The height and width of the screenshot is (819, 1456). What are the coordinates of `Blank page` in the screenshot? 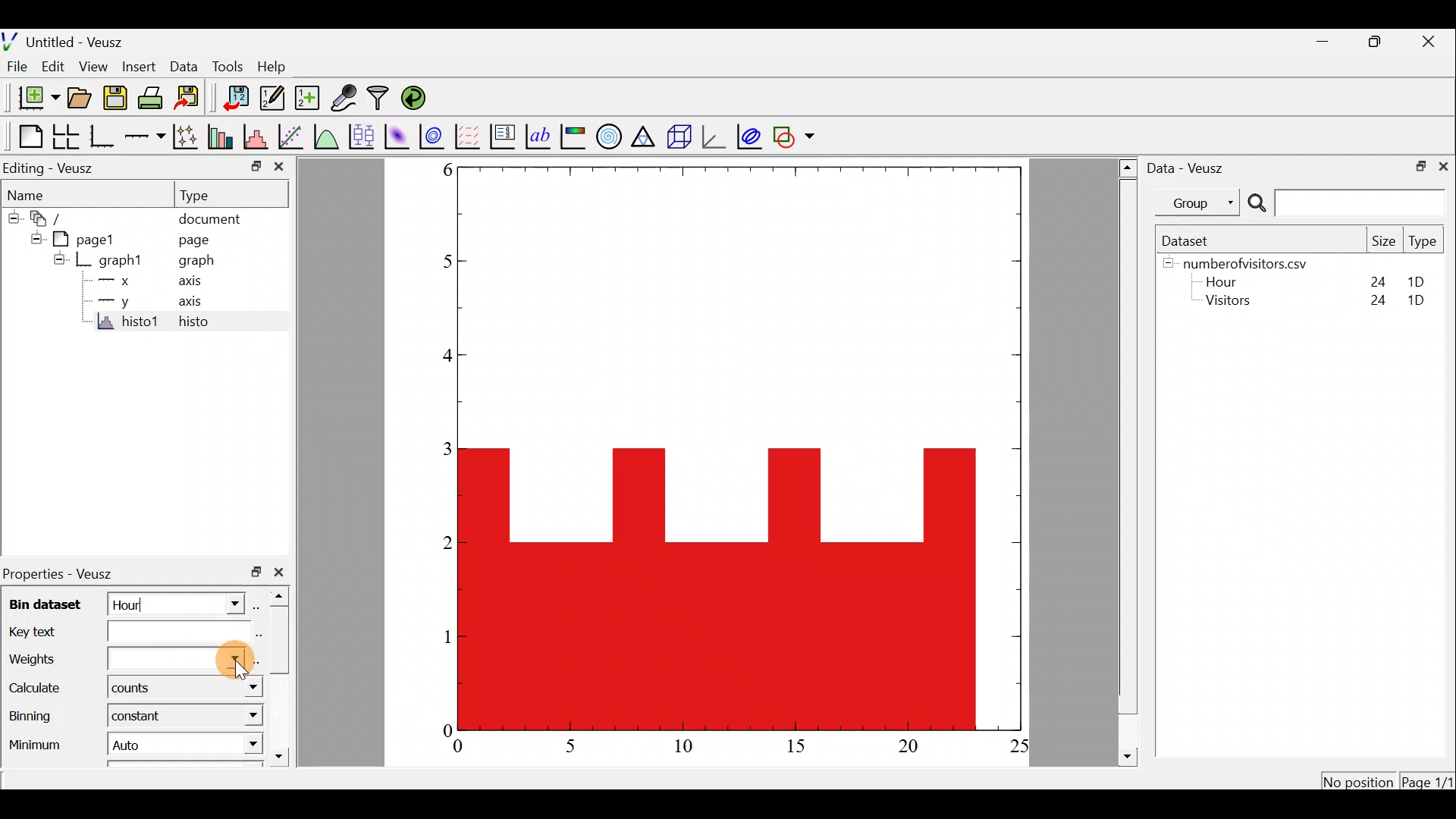 It's located at (26, 135).